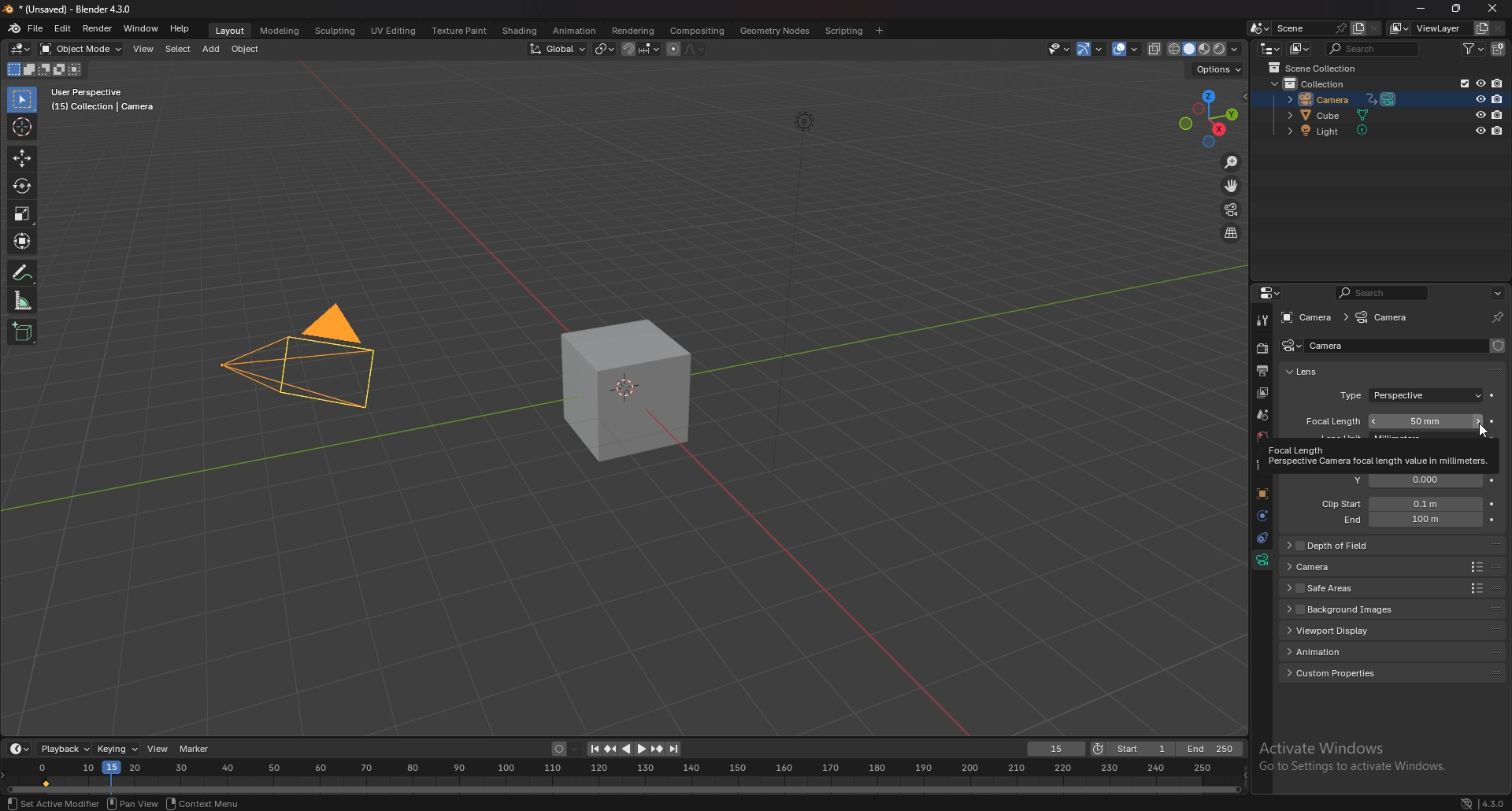 This screenshot has height=811, width=1512. What do you see at coordinates (335, 31) in the screenshot?
I see `sculpting` at bounding box center [335, 31].